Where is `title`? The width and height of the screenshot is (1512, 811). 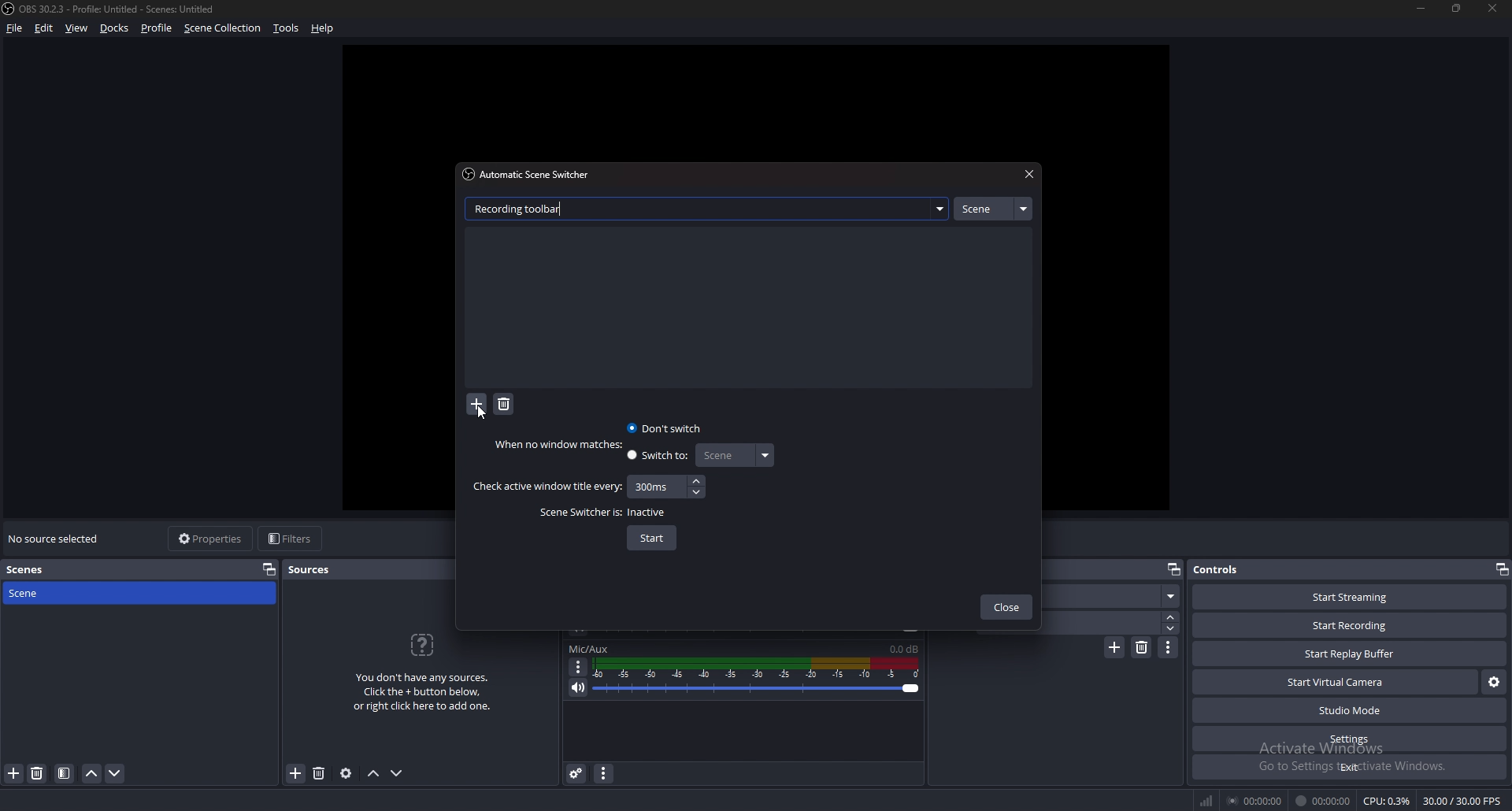 title is located at coordinates (113, 9).